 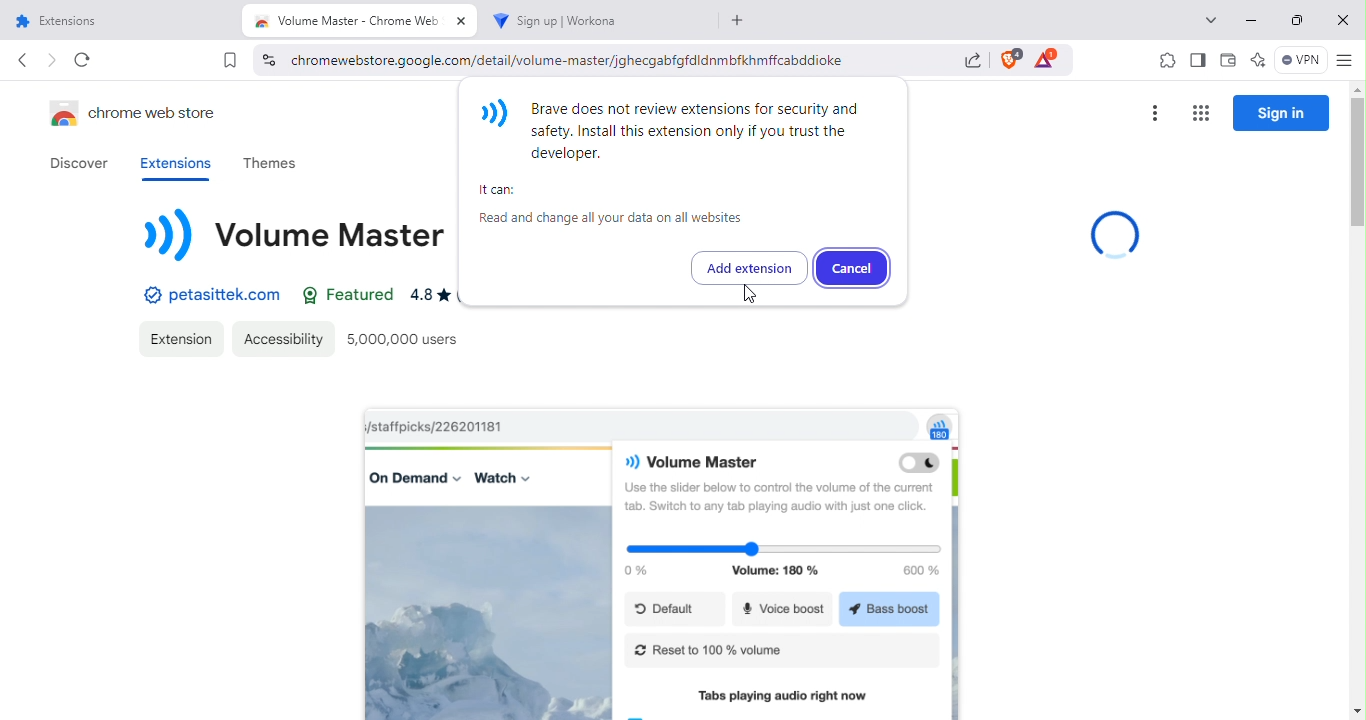 I want to click on featured, so click(x=344, y=295).